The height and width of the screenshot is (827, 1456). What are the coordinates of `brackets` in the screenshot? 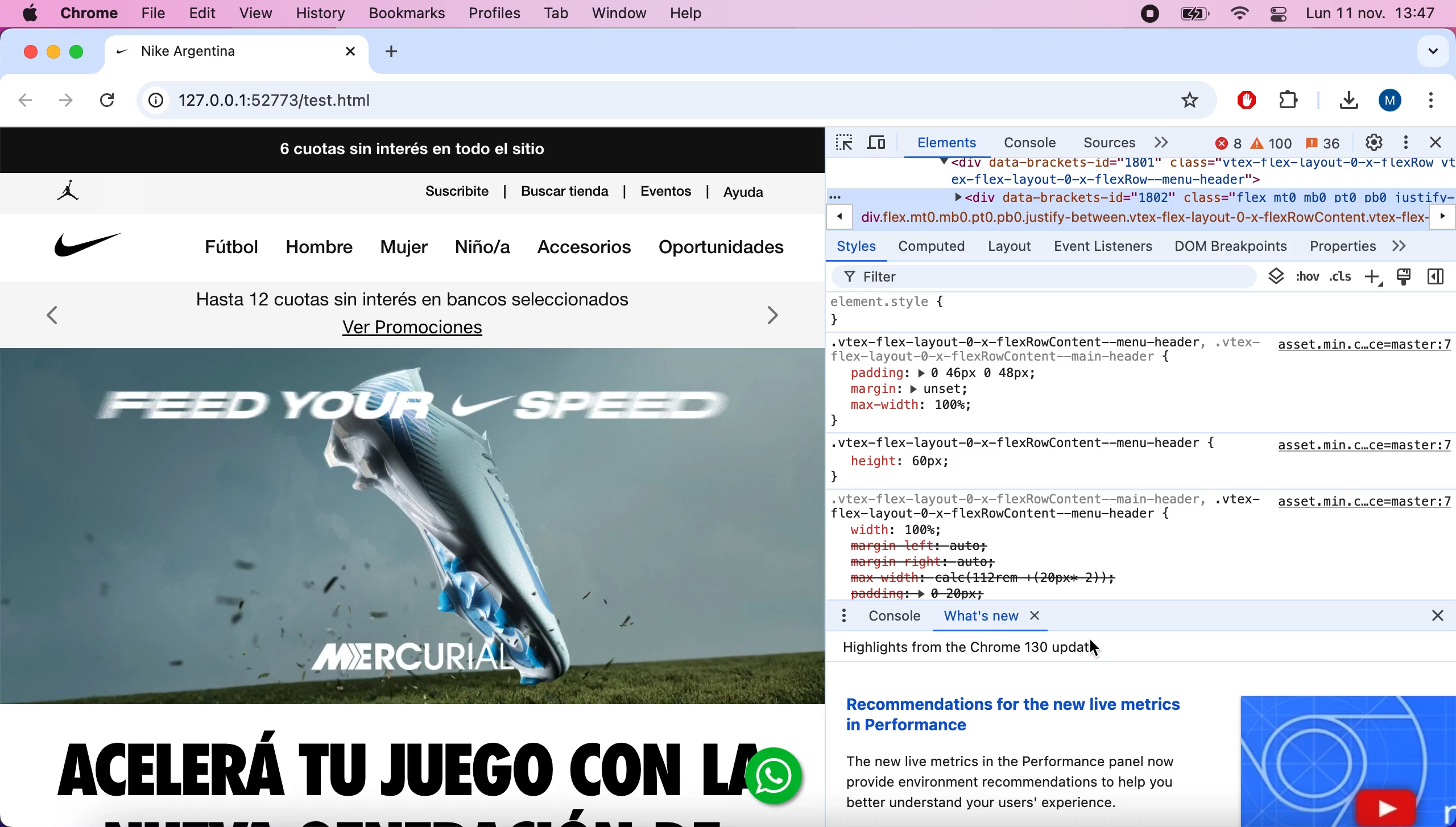 It's located at (93, 15).